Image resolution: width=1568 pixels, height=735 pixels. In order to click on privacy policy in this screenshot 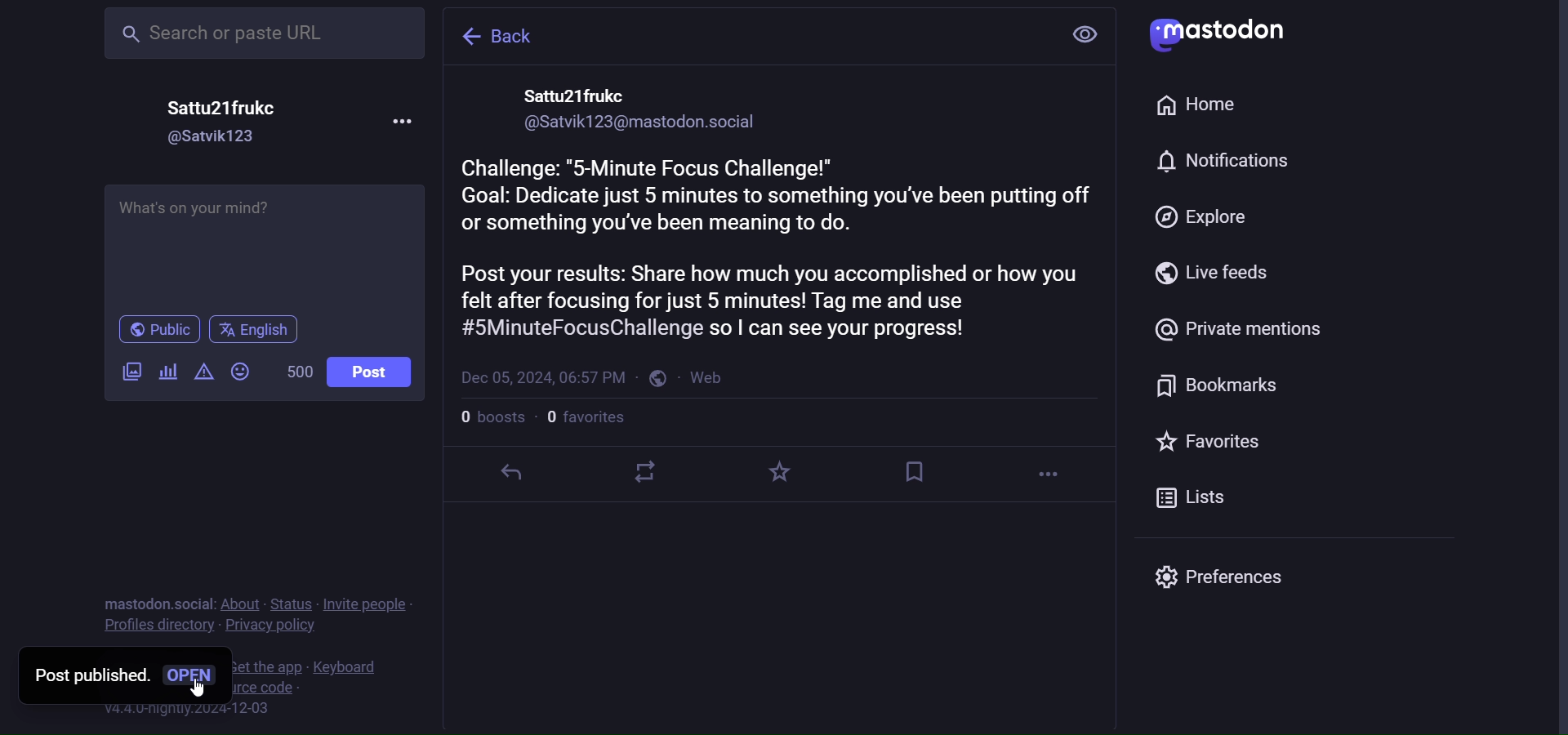, I will do `click(272, 627)`.